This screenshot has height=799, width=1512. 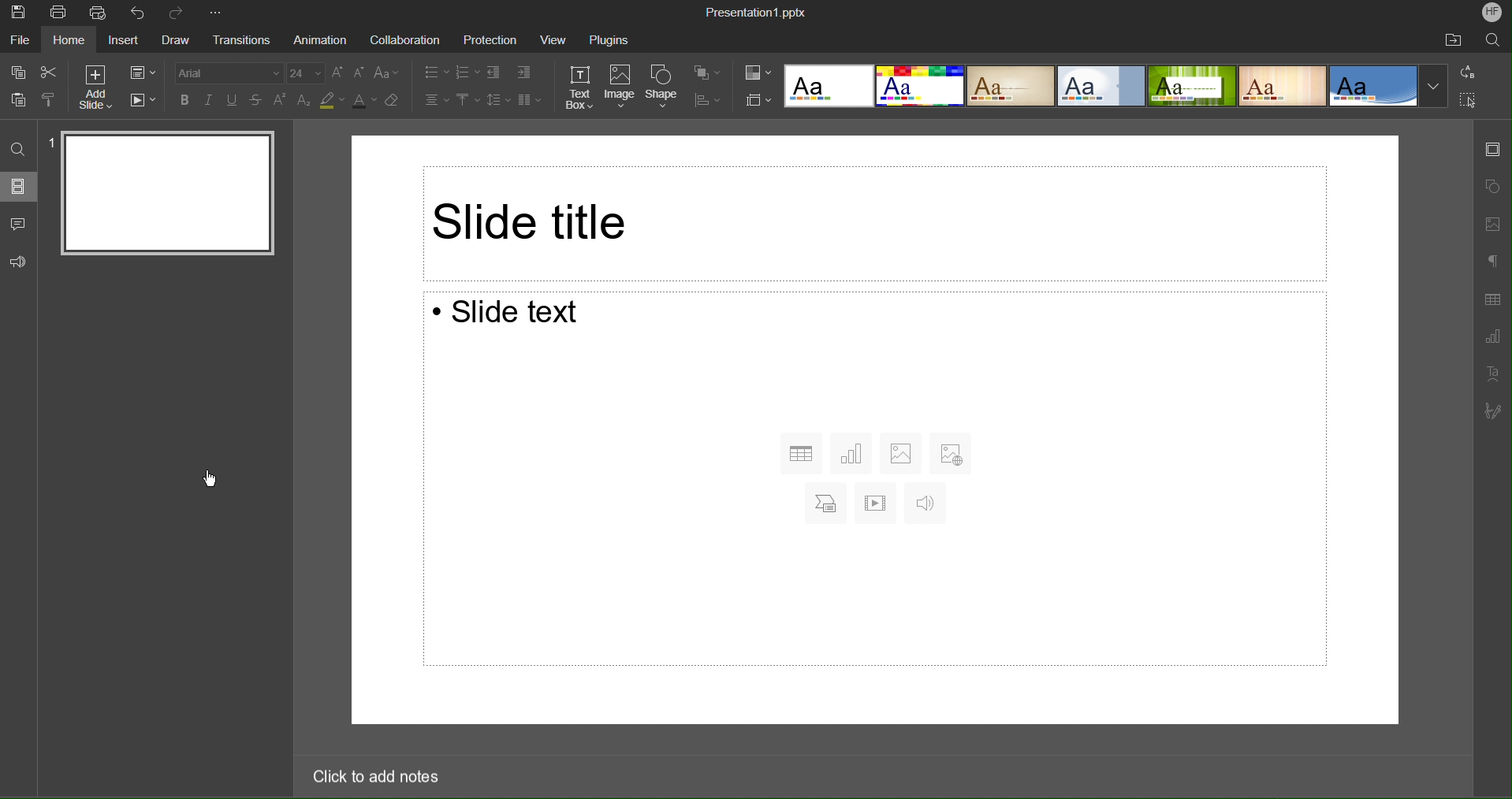 I want to click on Quick Print, so click(x=100, y=13).